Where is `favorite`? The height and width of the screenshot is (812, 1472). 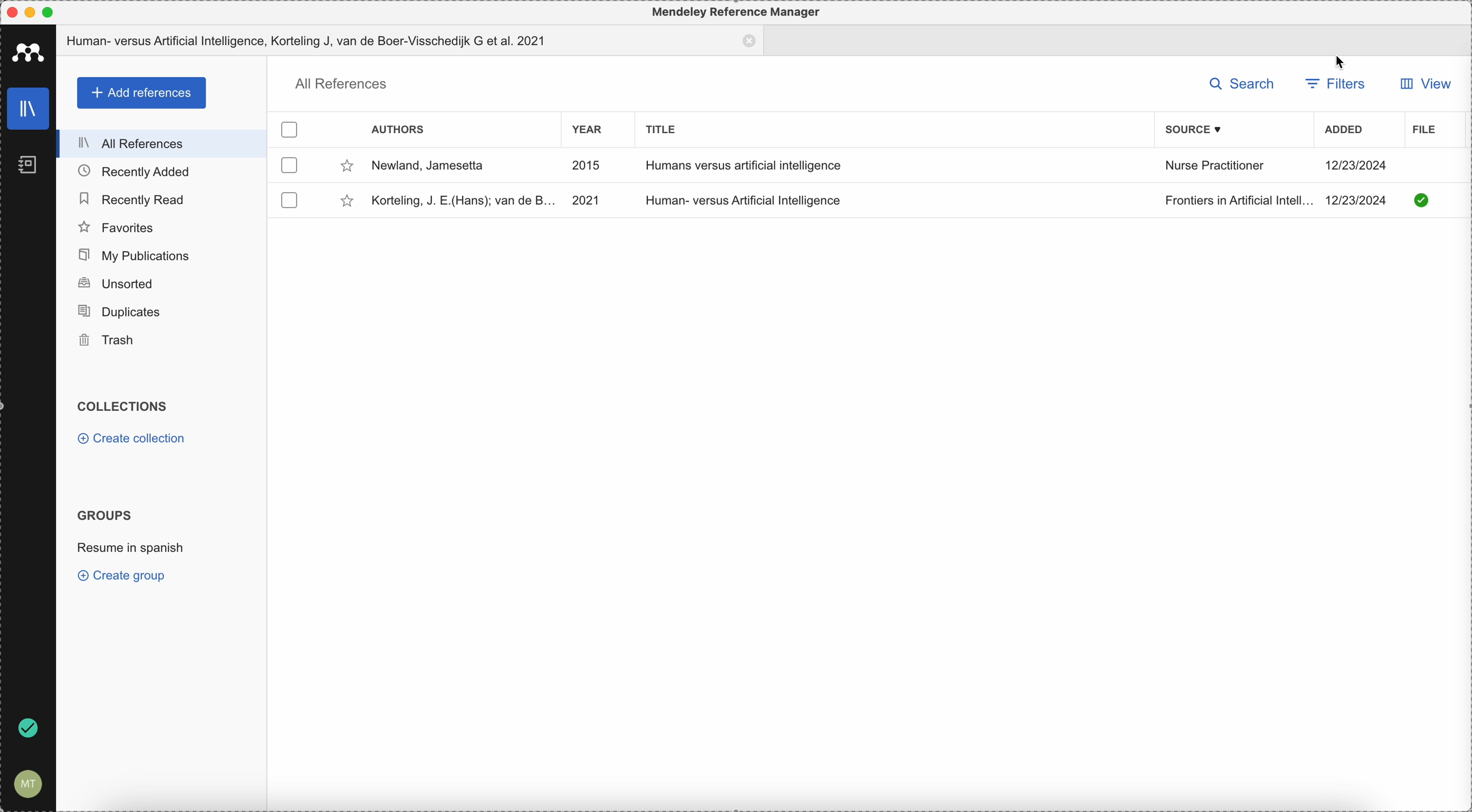
favorite is located at coordinates (344, 166).